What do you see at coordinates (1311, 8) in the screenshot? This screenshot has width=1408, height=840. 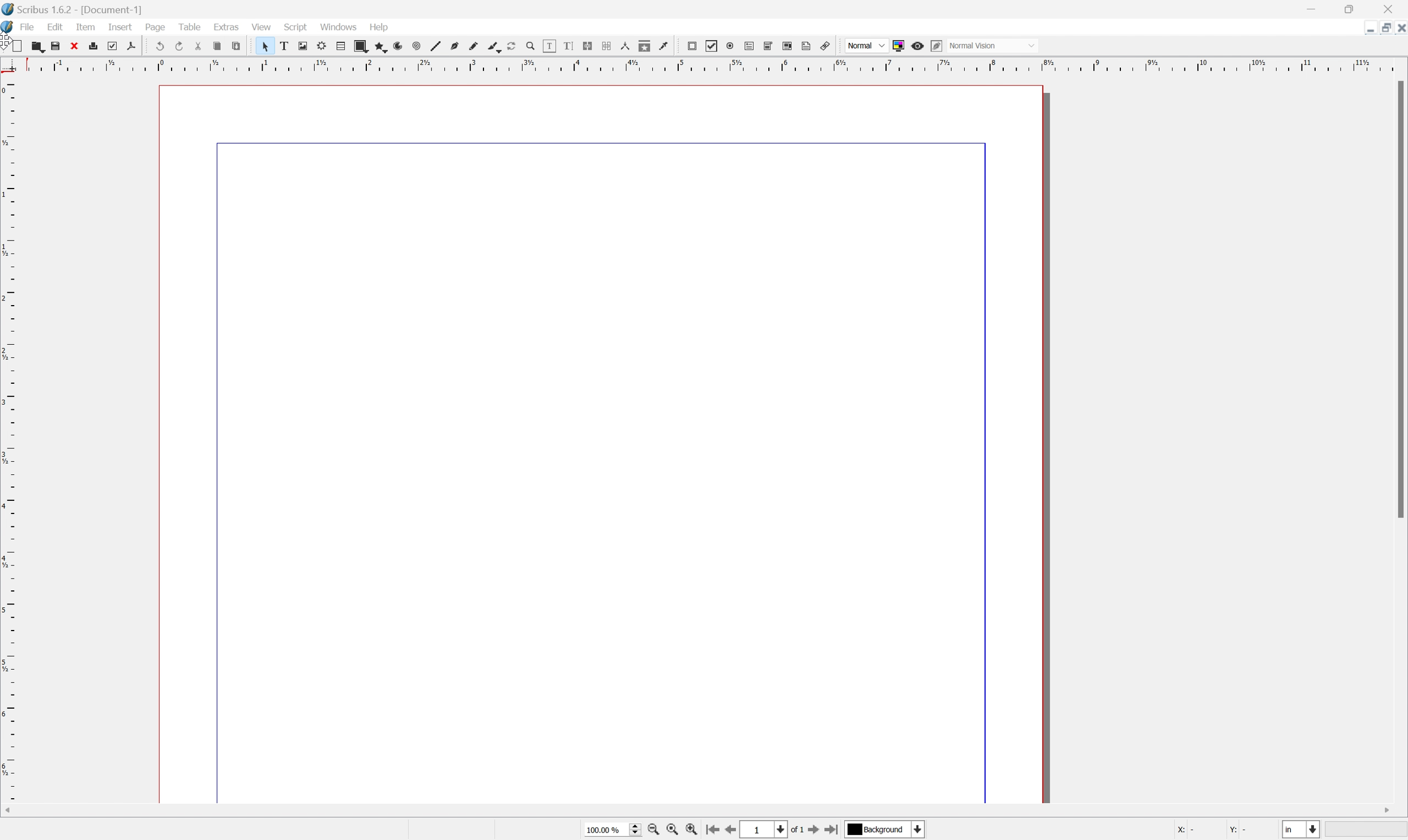 I see `minimize` at bounding box center [1311, 8].